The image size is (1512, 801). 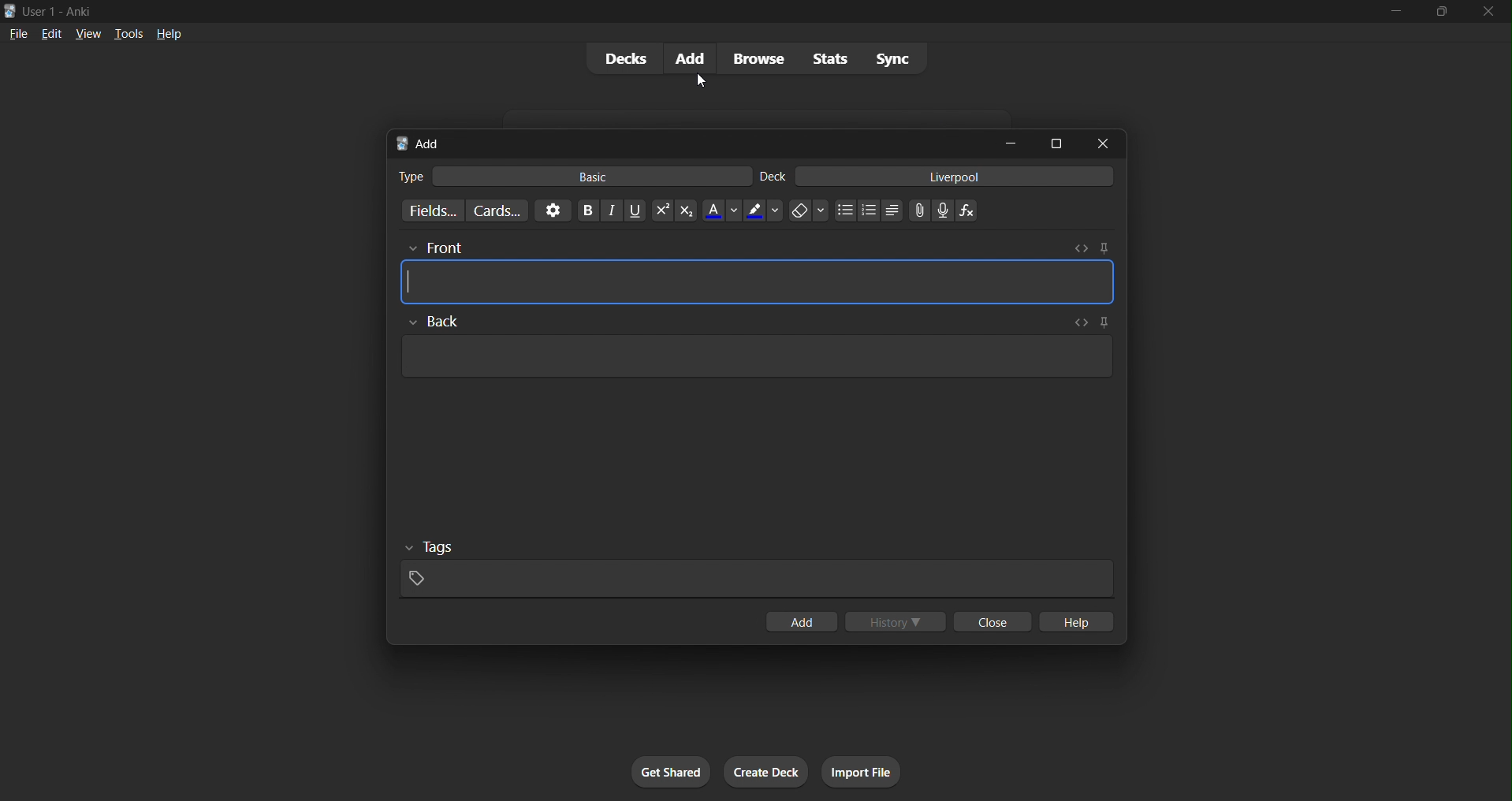 What do you see at coordinates (1056, 143) in the screenshot?
I see `maximize` at bounding box center [1056, 143].